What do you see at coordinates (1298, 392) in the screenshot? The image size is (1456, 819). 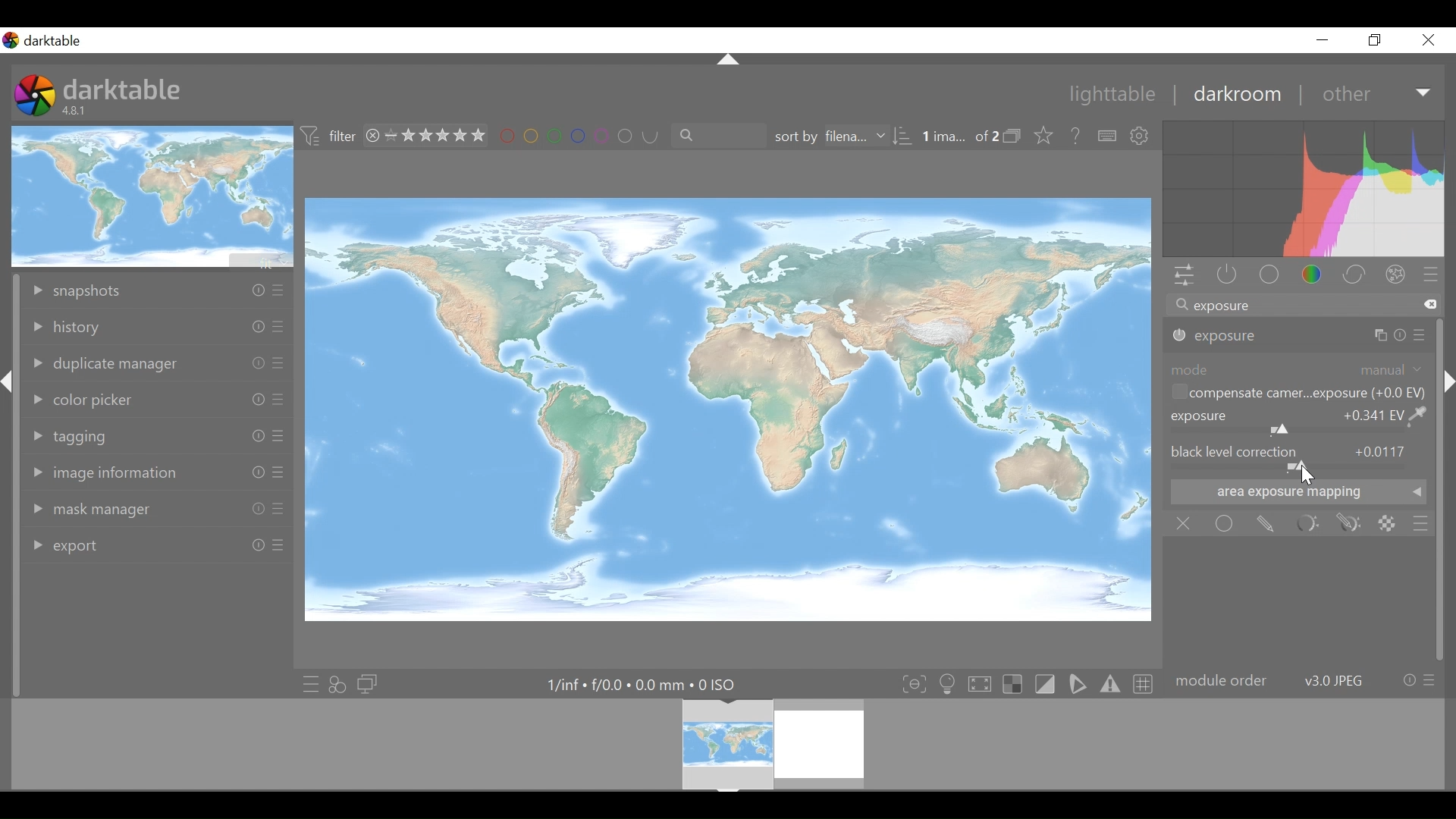 I see `compensate camera exposure` at bounding box center [1298, 392].